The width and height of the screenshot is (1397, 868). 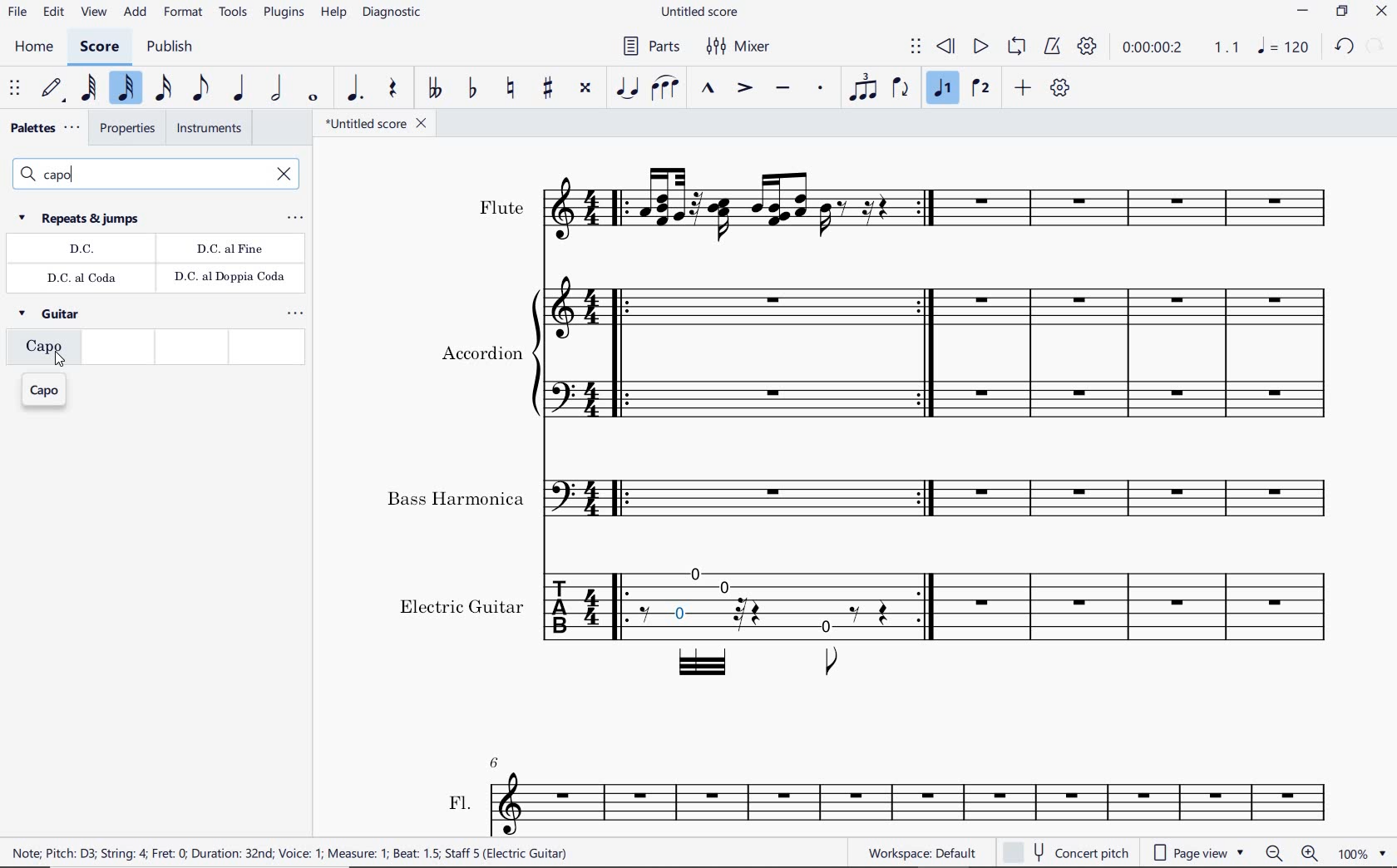 What do you see at coordinates (1065, 852) in the screenshot?
I see `concert pitch` at bounding box center [1065, 852].